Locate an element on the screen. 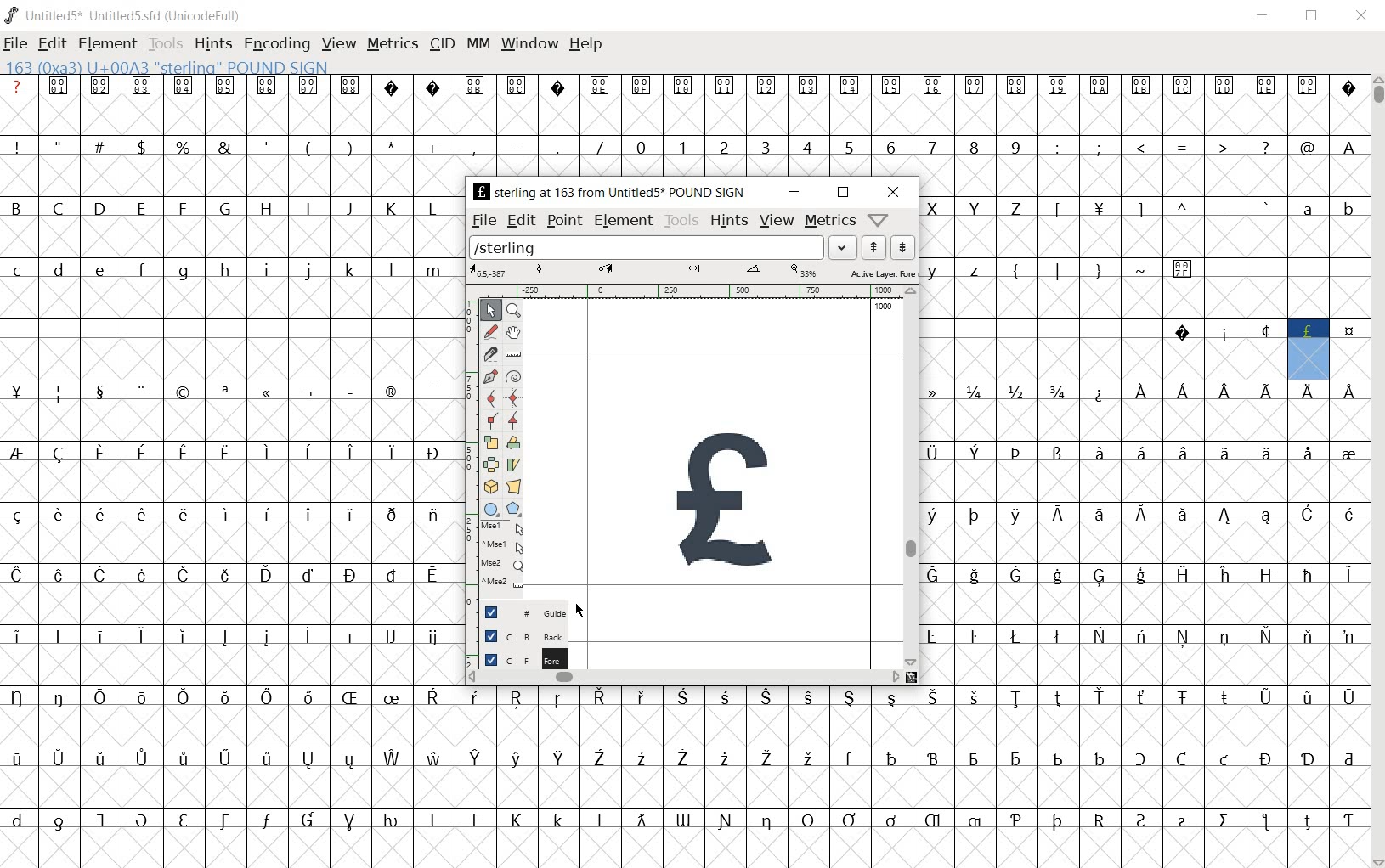 This screenshot has width=1385, height=868. H is located at coordinates (267, 209).